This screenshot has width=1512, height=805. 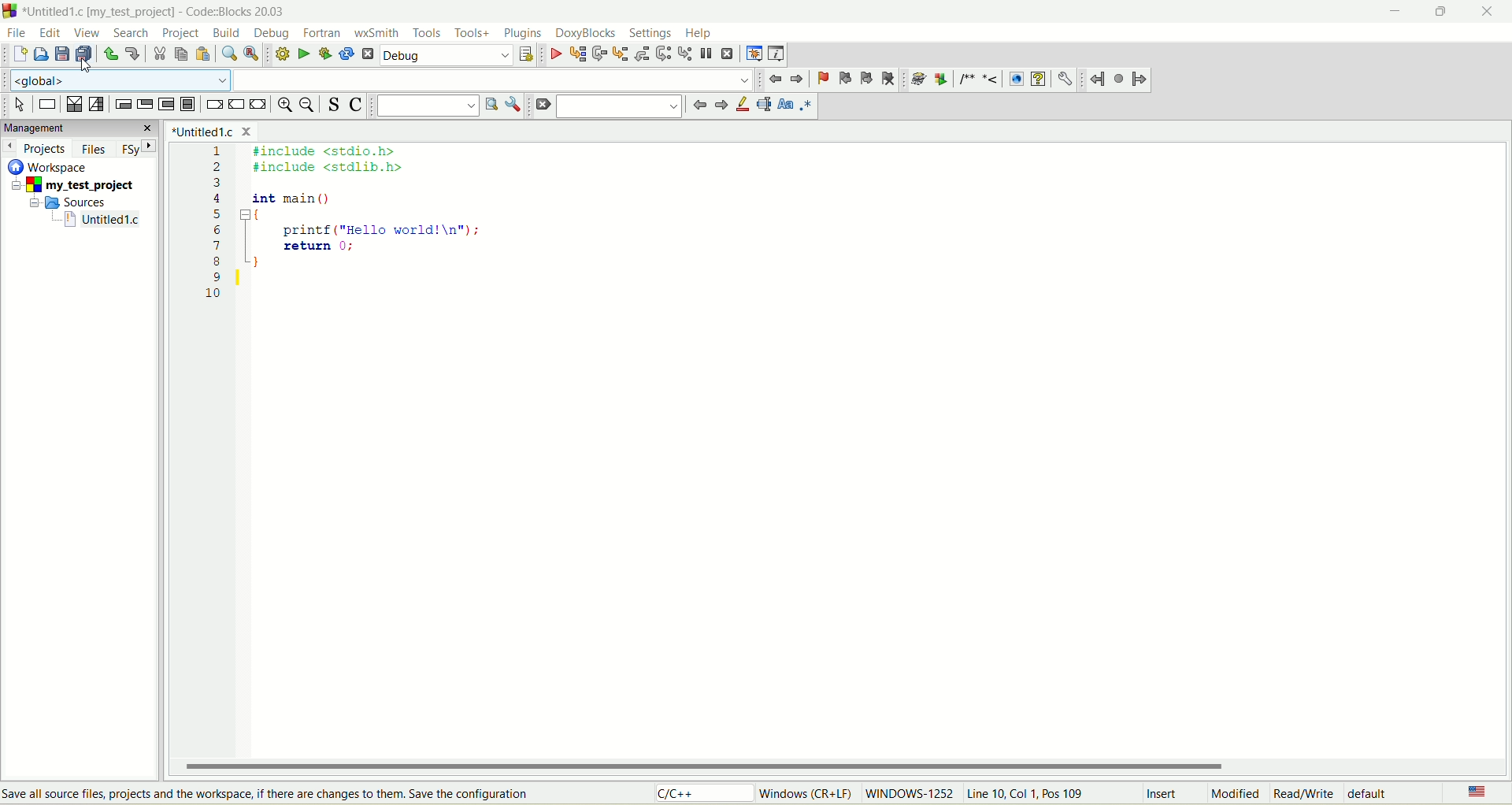 What do you see at coordinates (706, 54) in the screenshot?
I see `break debugger` at bounding box center [706, 54].